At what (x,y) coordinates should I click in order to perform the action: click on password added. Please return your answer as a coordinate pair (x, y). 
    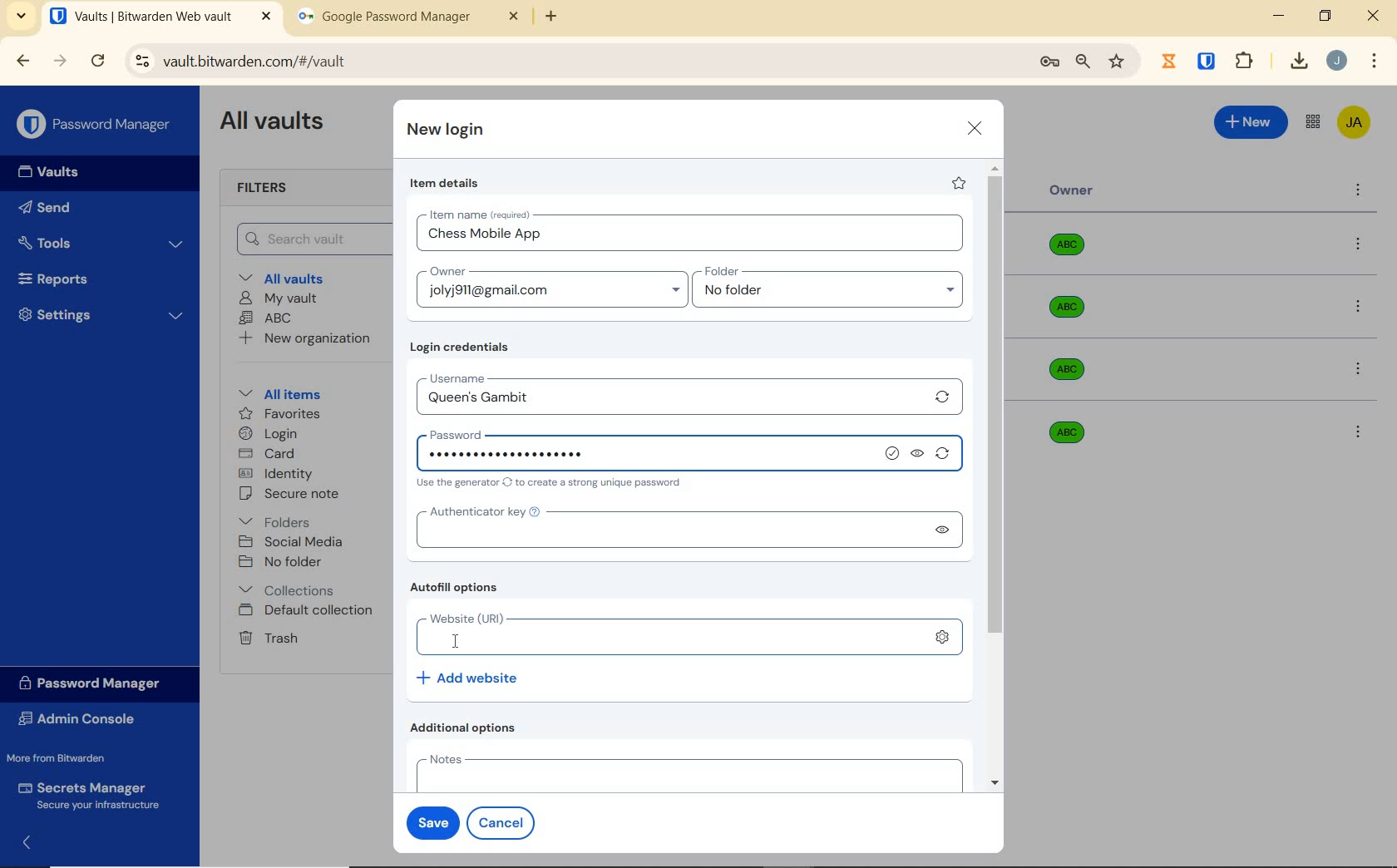
    Looking at the image, I should click on (650, 456).